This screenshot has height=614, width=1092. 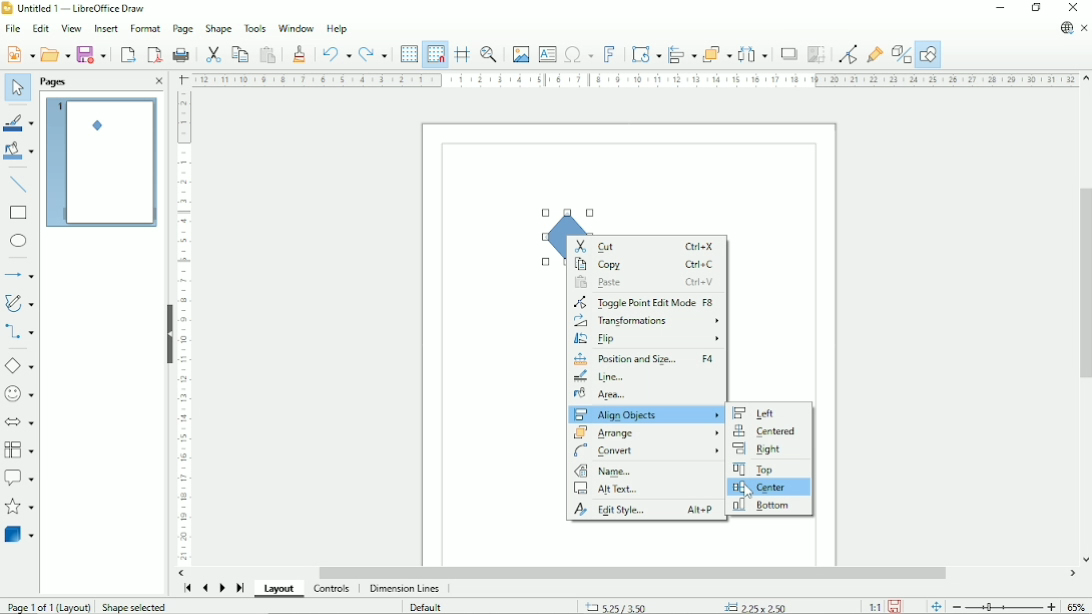 What do you see at coordinates (630, 573) in the screenshot?
I see `Horizontal scrollbar` at bounding box center [630, 573].